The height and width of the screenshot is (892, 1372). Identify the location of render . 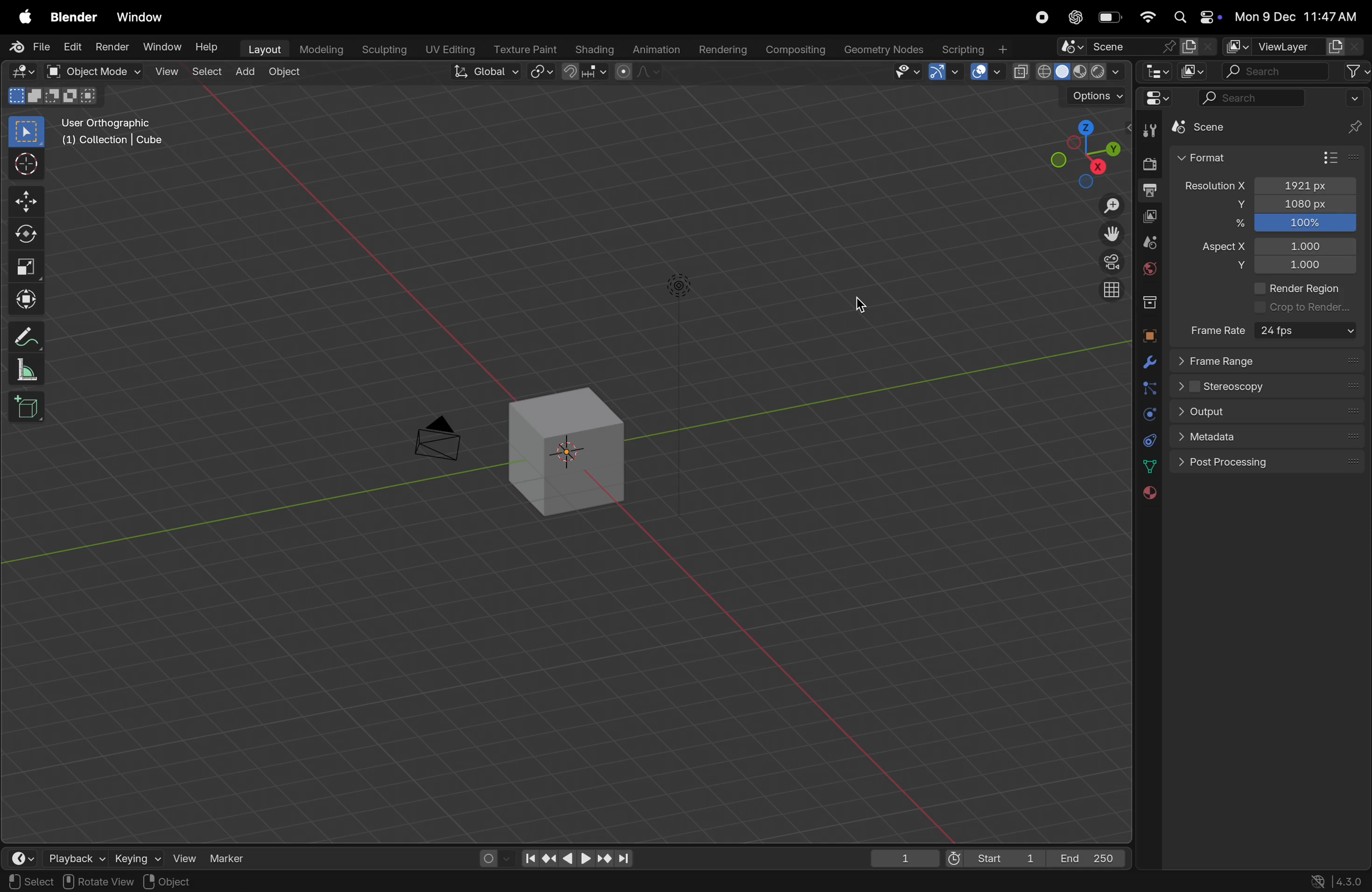
(1150, 164).